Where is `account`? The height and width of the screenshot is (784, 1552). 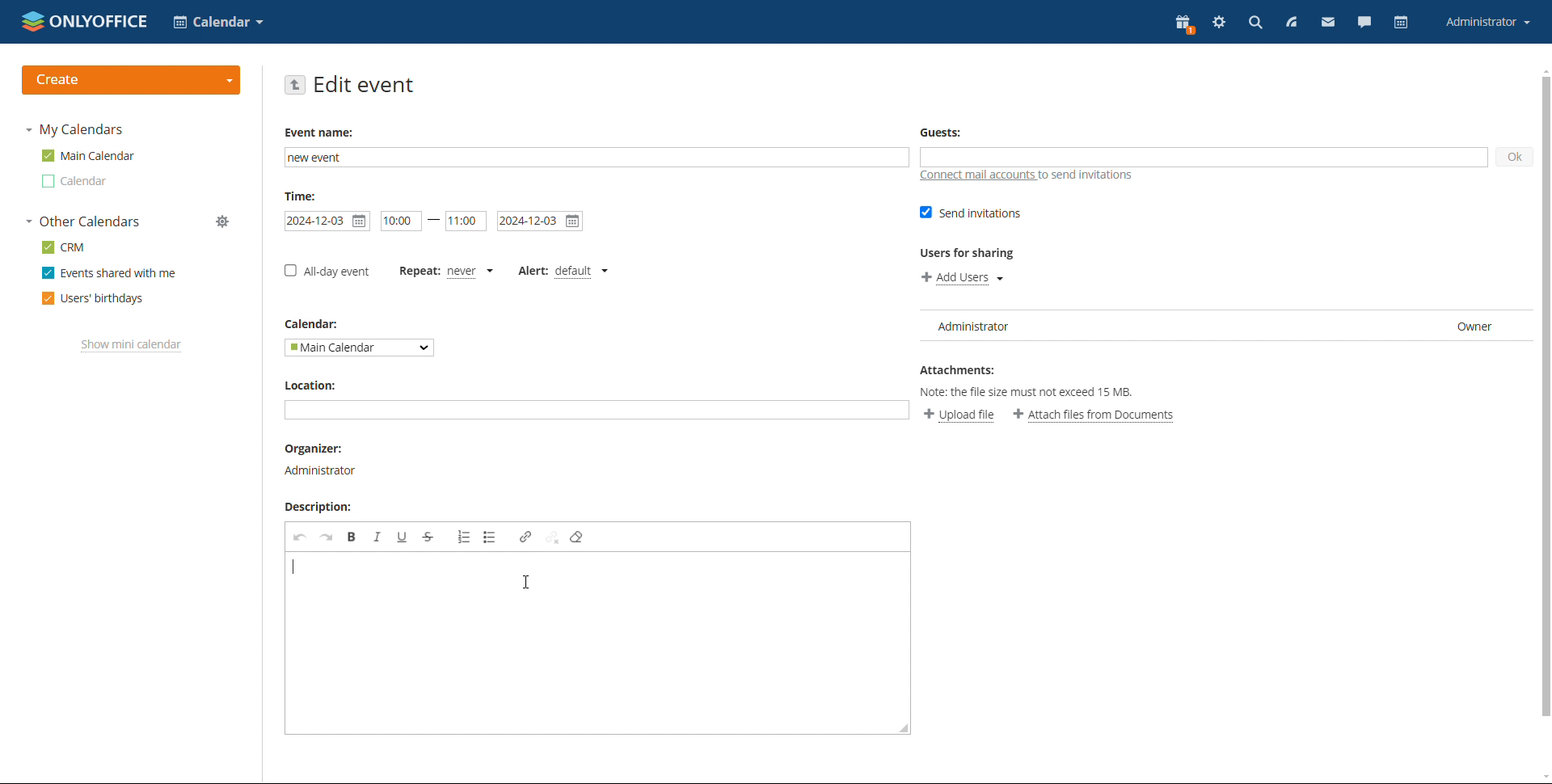 account is located at coordinates (1488, 21).